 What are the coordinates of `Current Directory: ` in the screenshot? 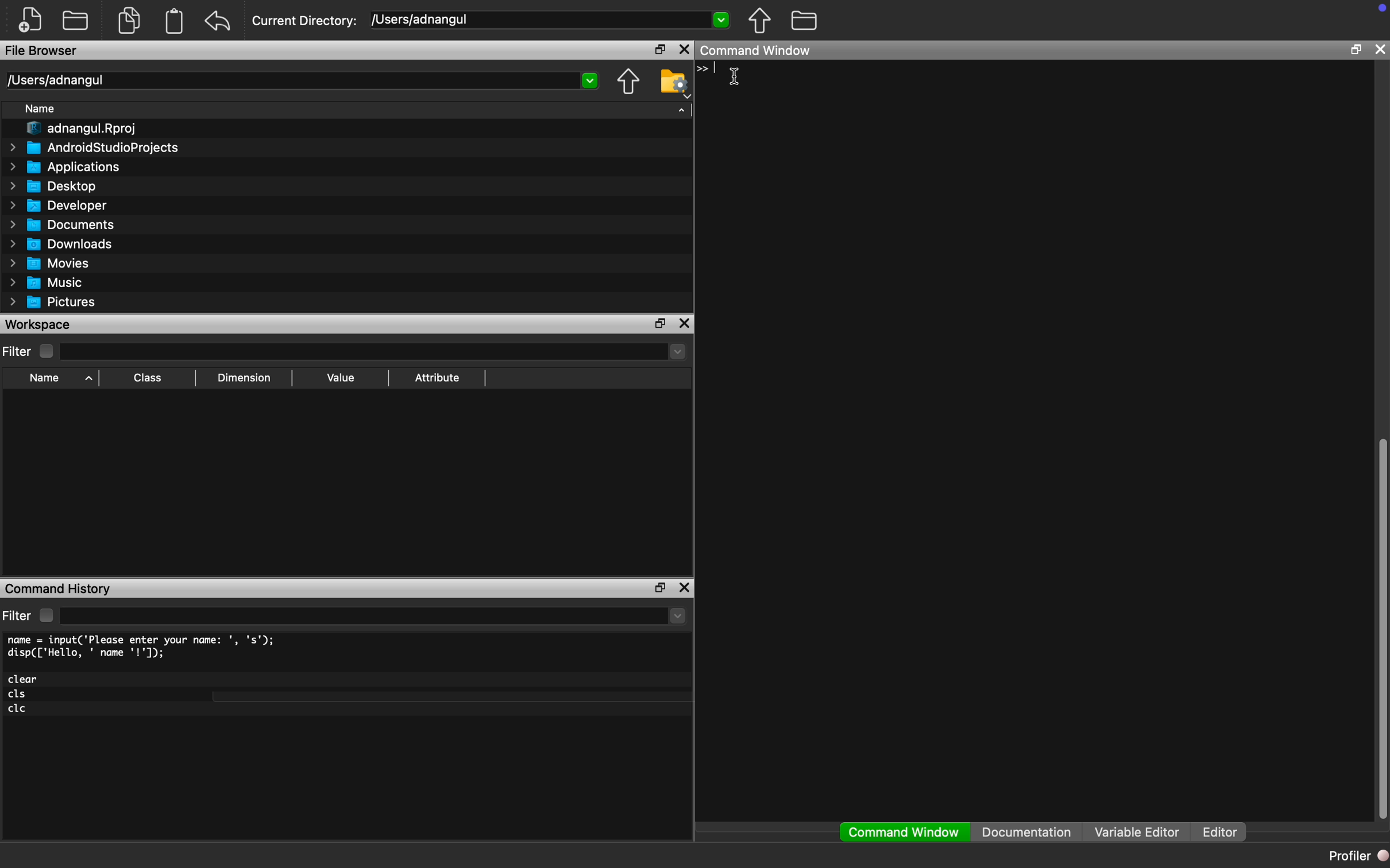 It's located at (305, 21).